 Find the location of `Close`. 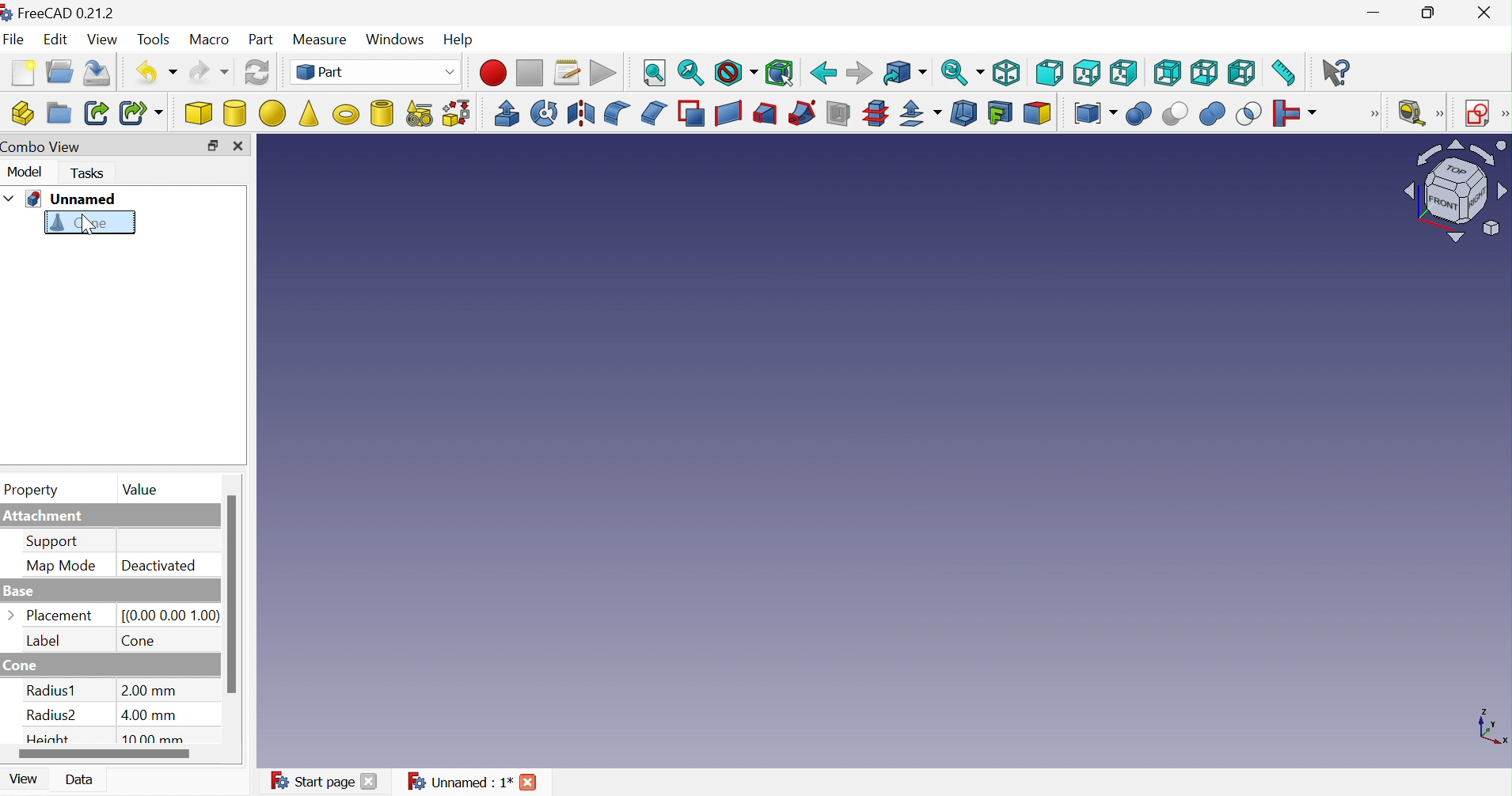

Close is located at coordinates (1486, 11).